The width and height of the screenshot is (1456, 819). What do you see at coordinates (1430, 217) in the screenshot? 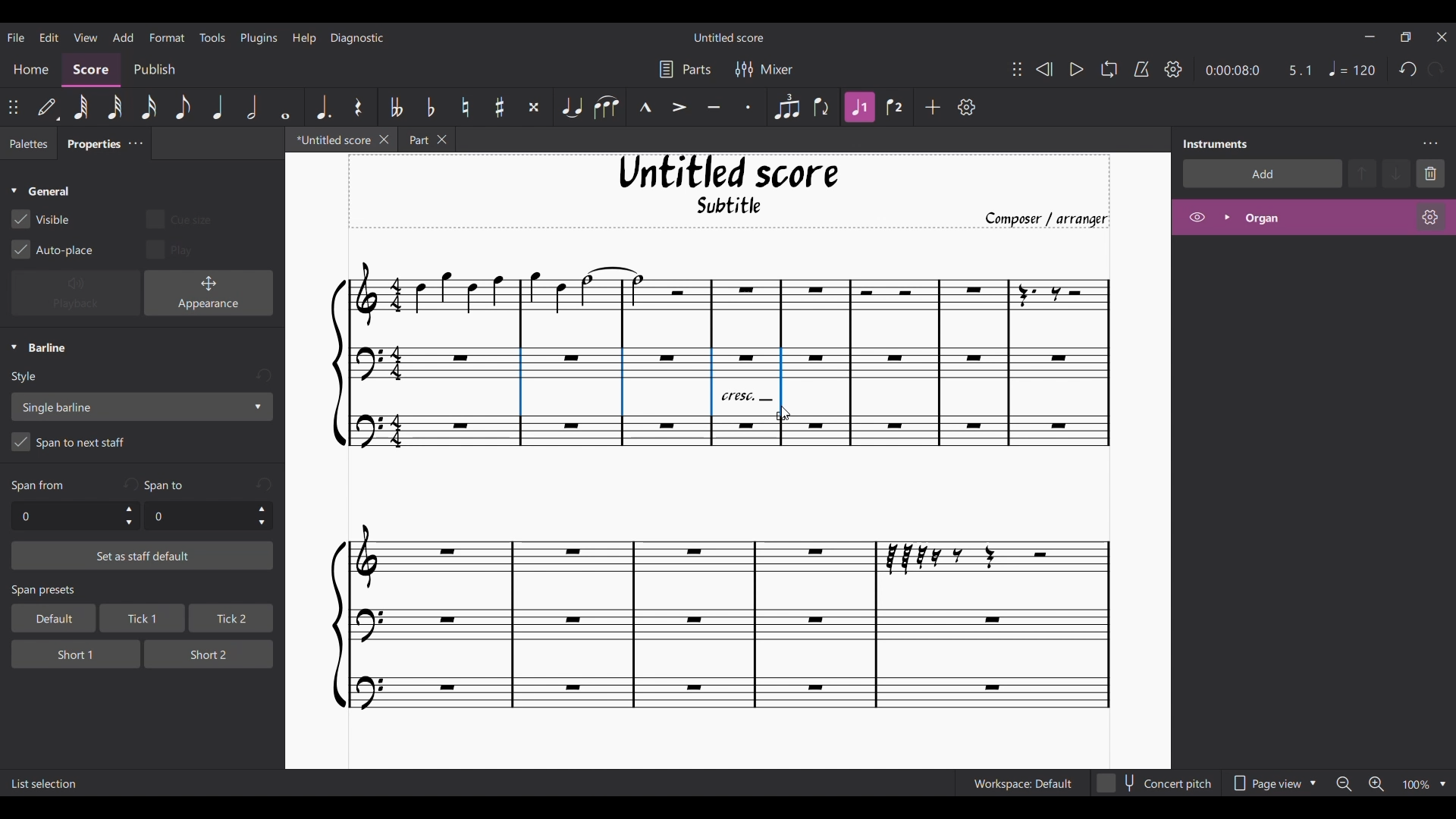
I see `Organ settings` at bounding box center [1430, 217].